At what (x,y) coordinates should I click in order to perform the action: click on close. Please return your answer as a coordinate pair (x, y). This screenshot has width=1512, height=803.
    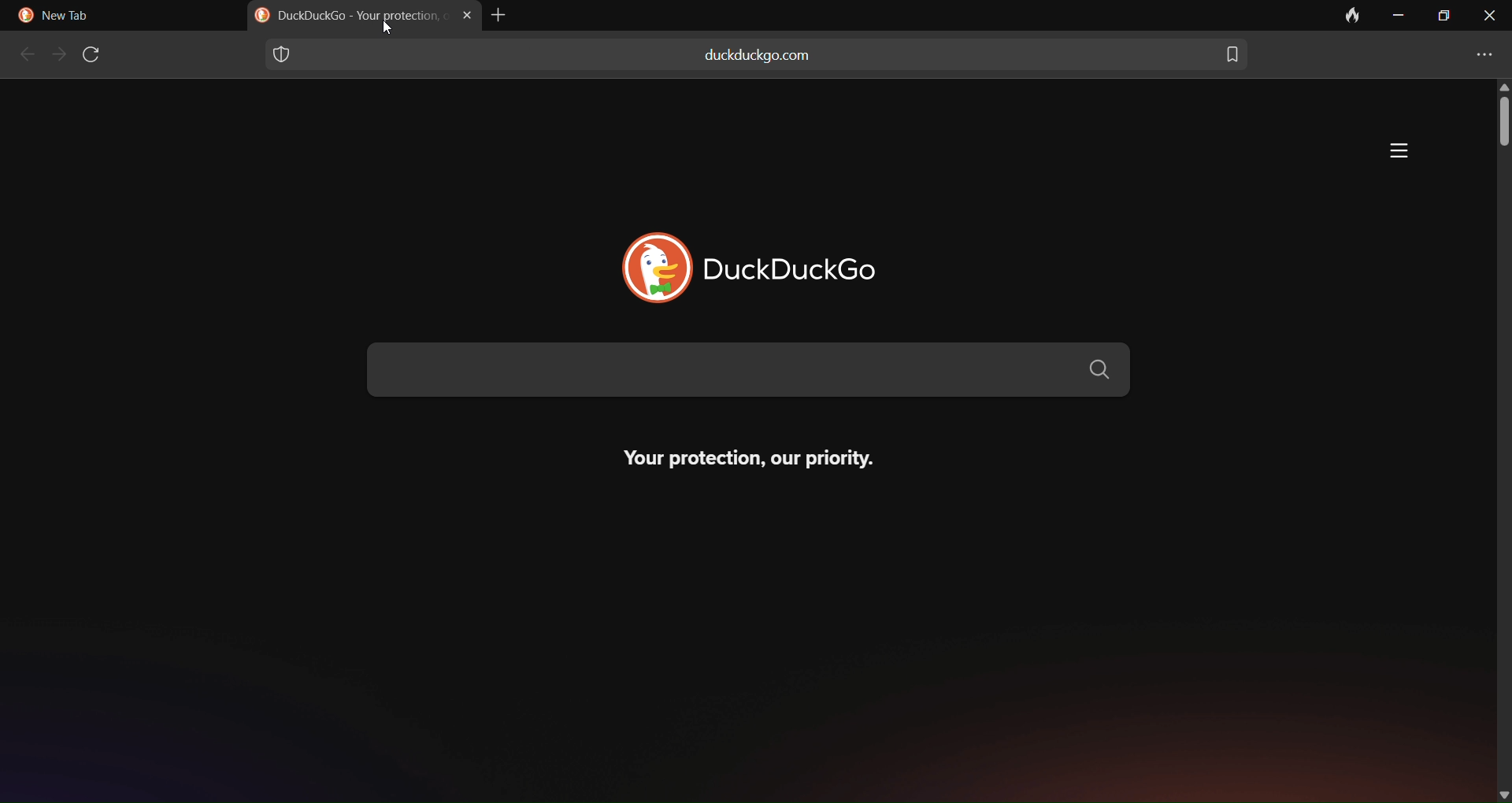
    Looking at the image, I should click on (1490, 17).